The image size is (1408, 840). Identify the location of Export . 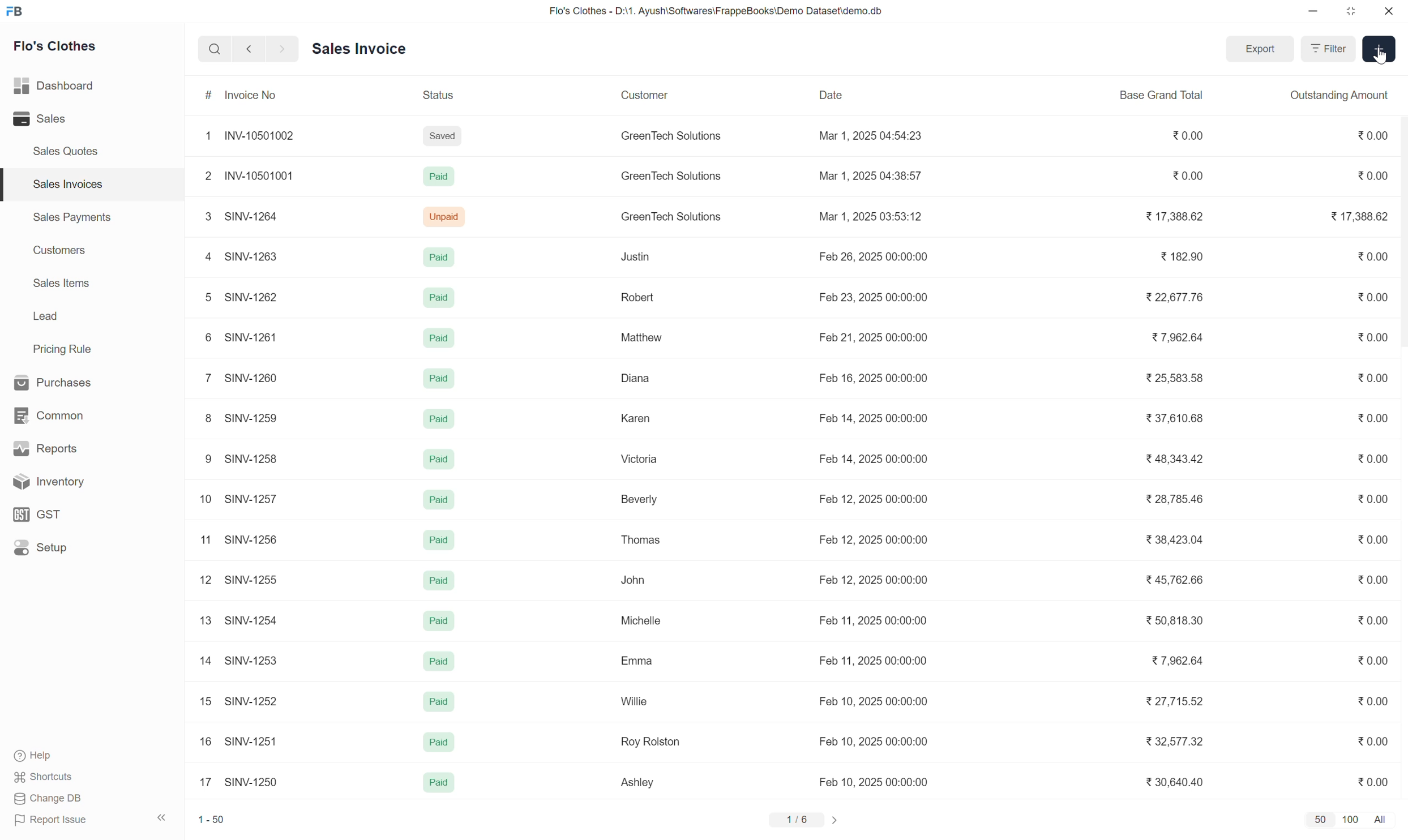
(1261, 49).